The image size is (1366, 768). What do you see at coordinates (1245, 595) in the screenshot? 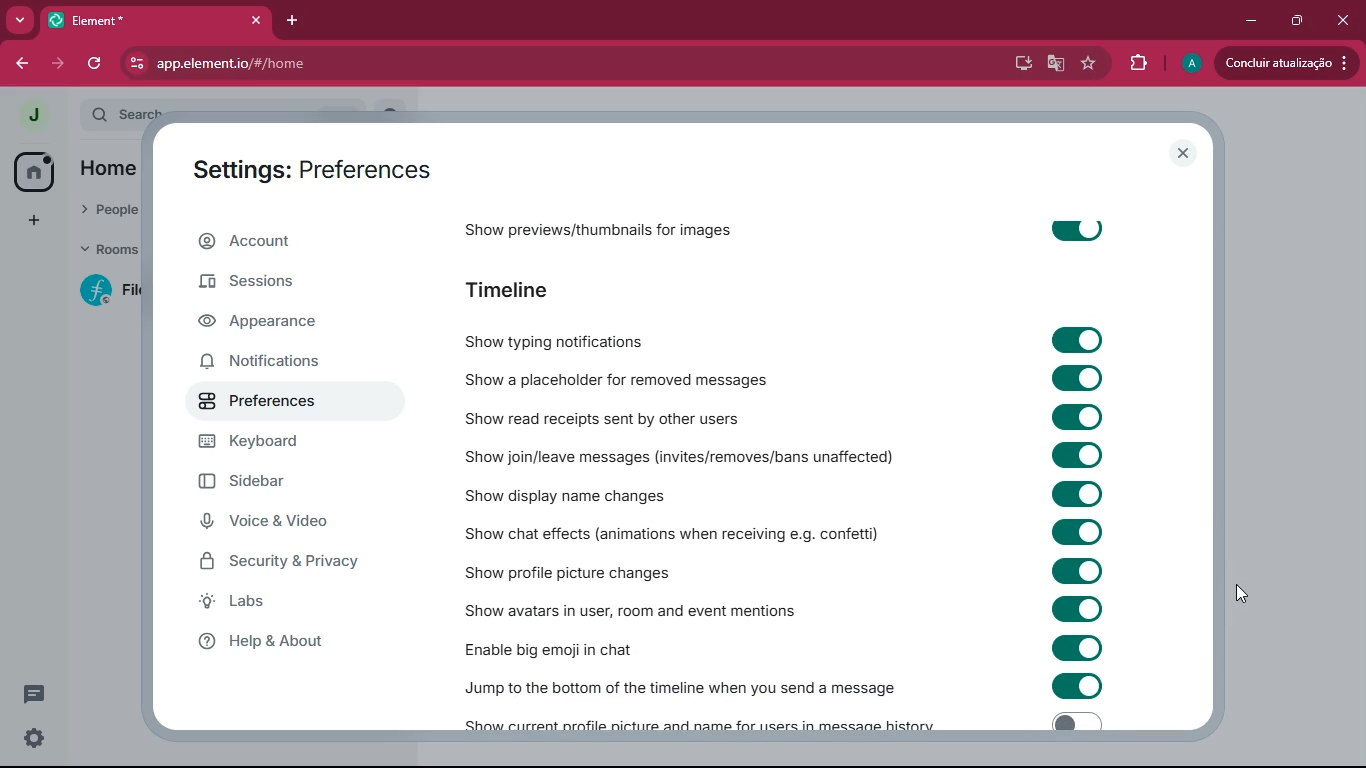
I see `cursor` at bounding box center [1245, 595].